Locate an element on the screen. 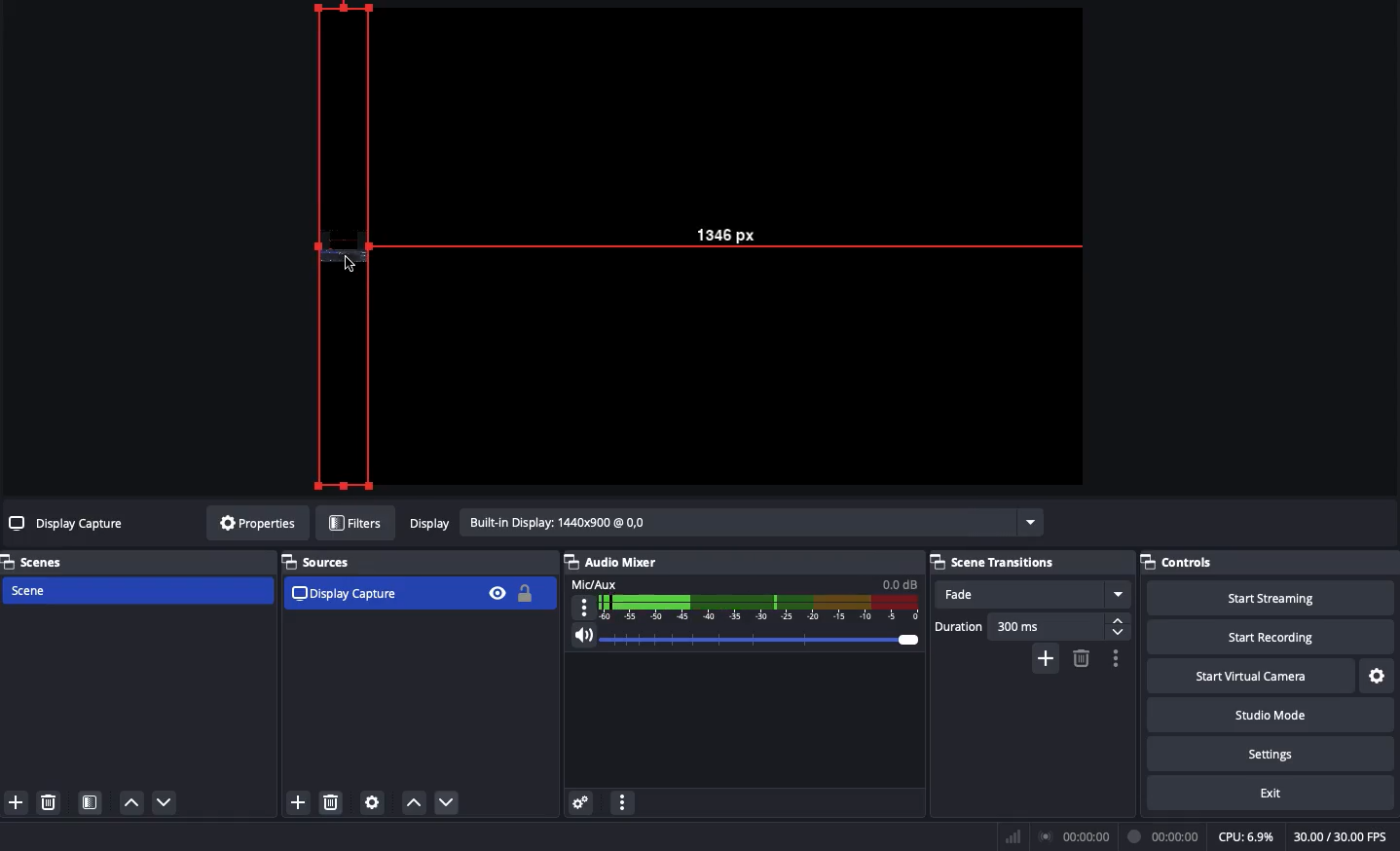 The image size is (1400, 851). Display capture is located at coordinates (348, 593).